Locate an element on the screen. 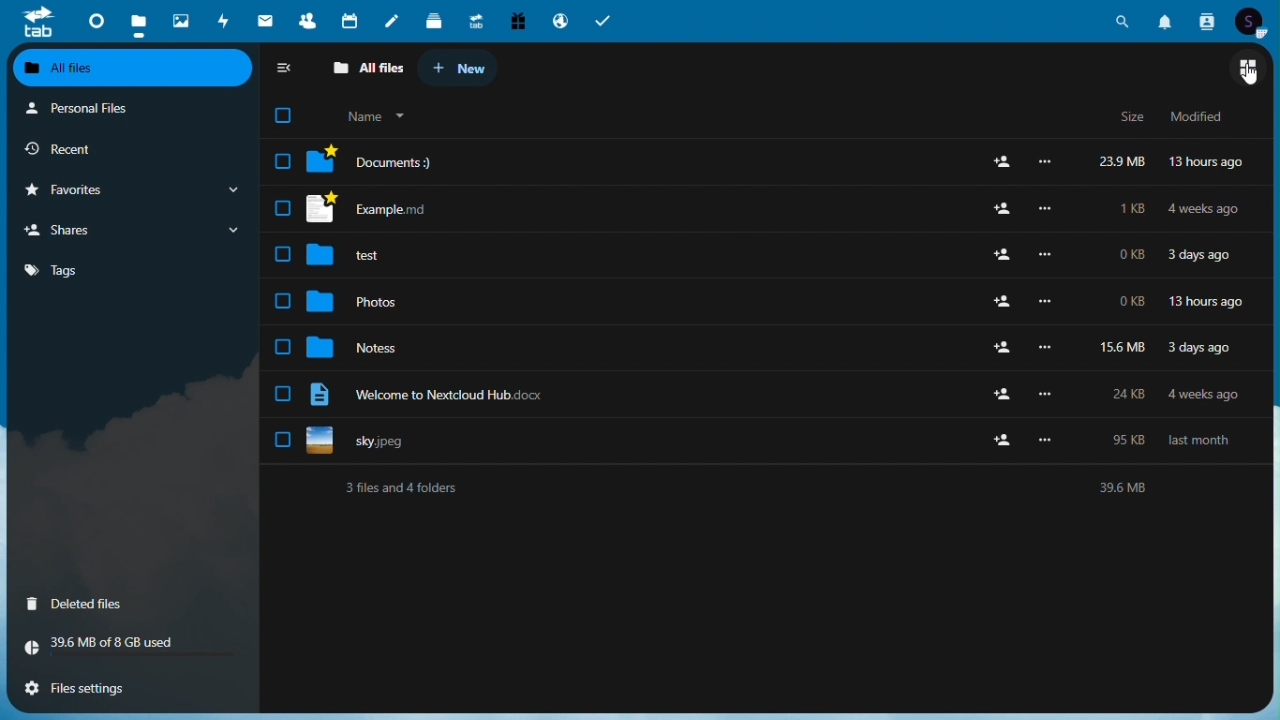 This screenshot has width=1280, height=720. favourites is located at coordinates (130, 190).